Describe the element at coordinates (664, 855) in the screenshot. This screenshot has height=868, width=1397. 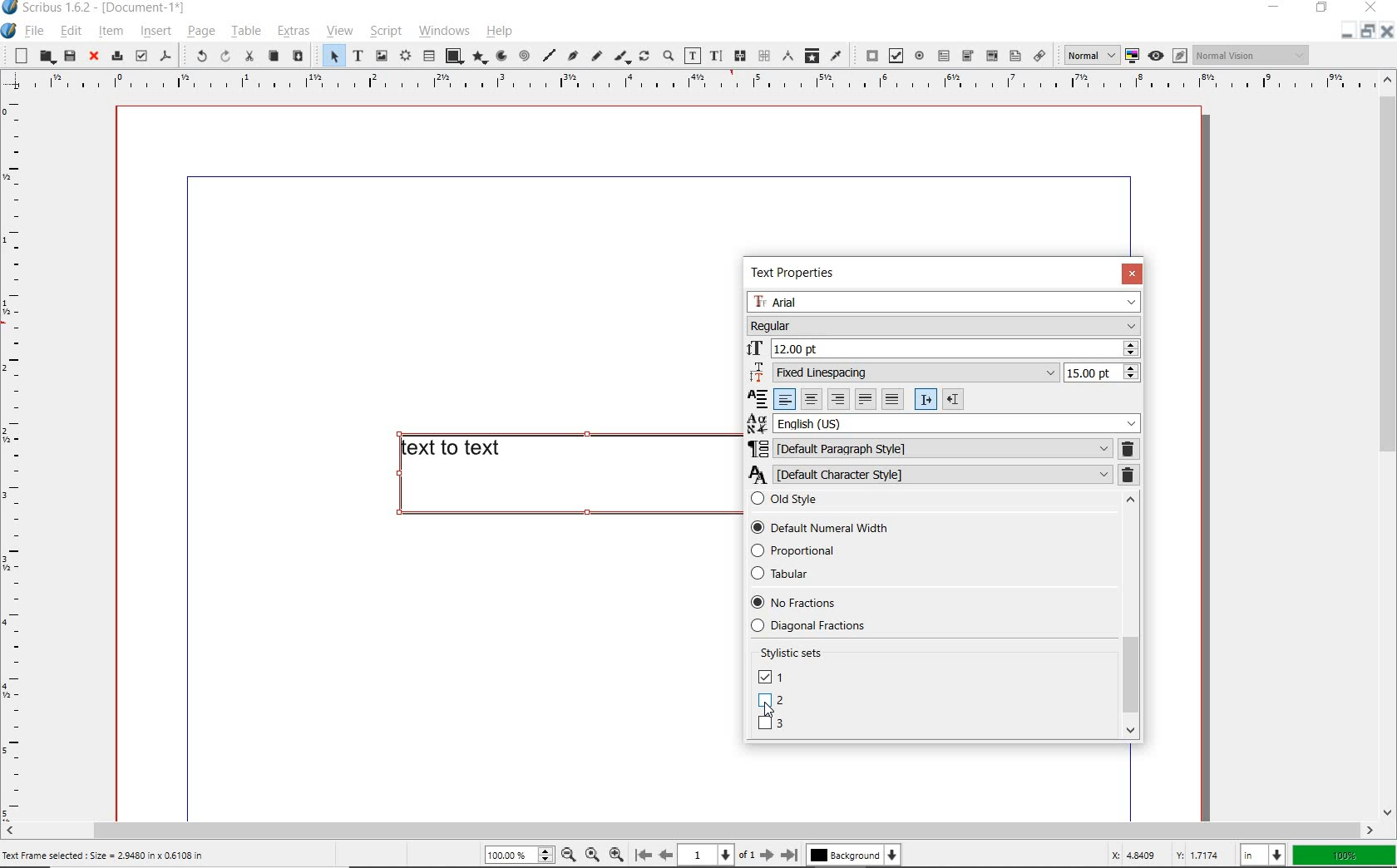
I see `Previous page` at that location.